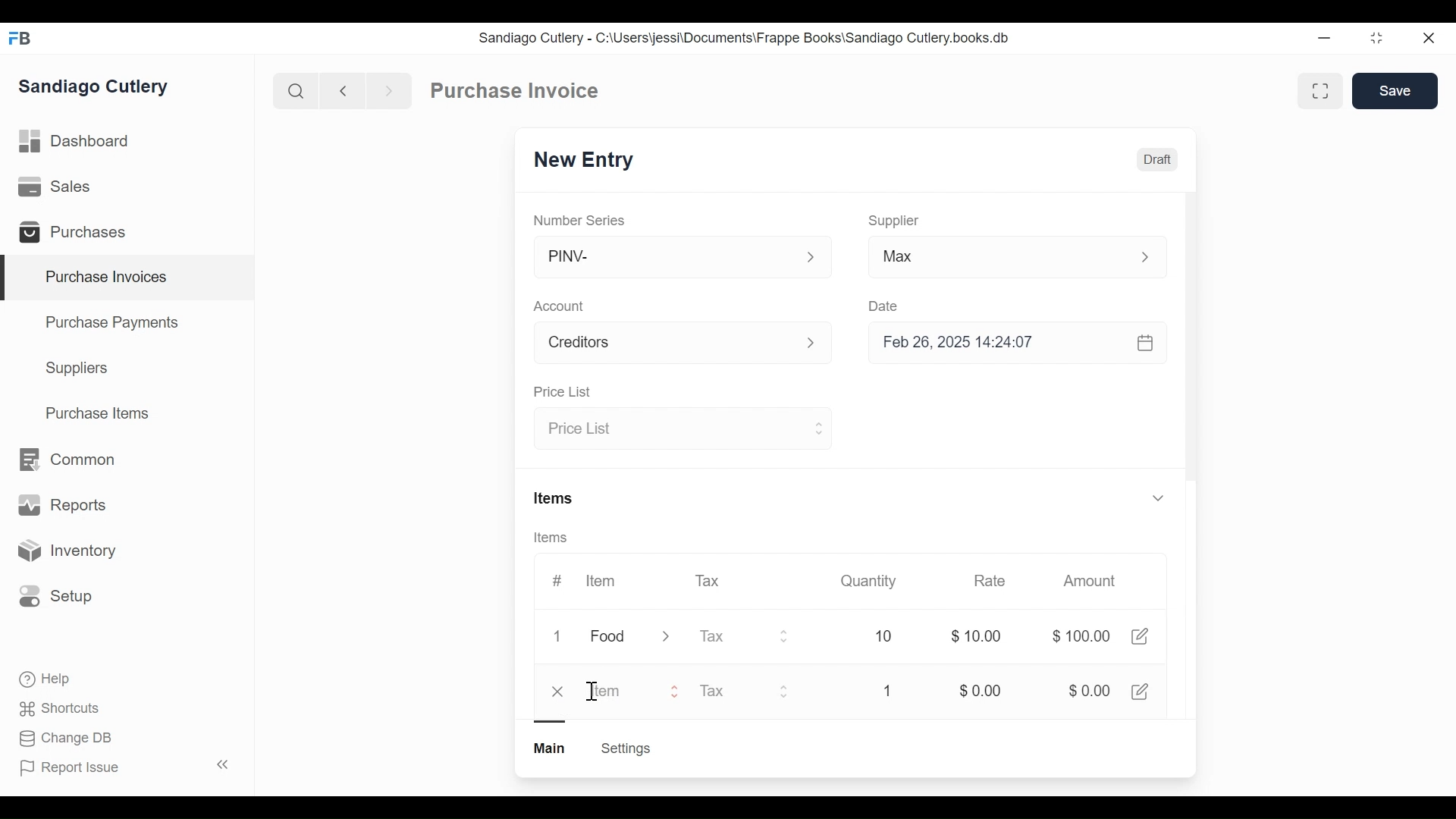 The image size is (1456, 819). I want to click on close, so click(560, 692).